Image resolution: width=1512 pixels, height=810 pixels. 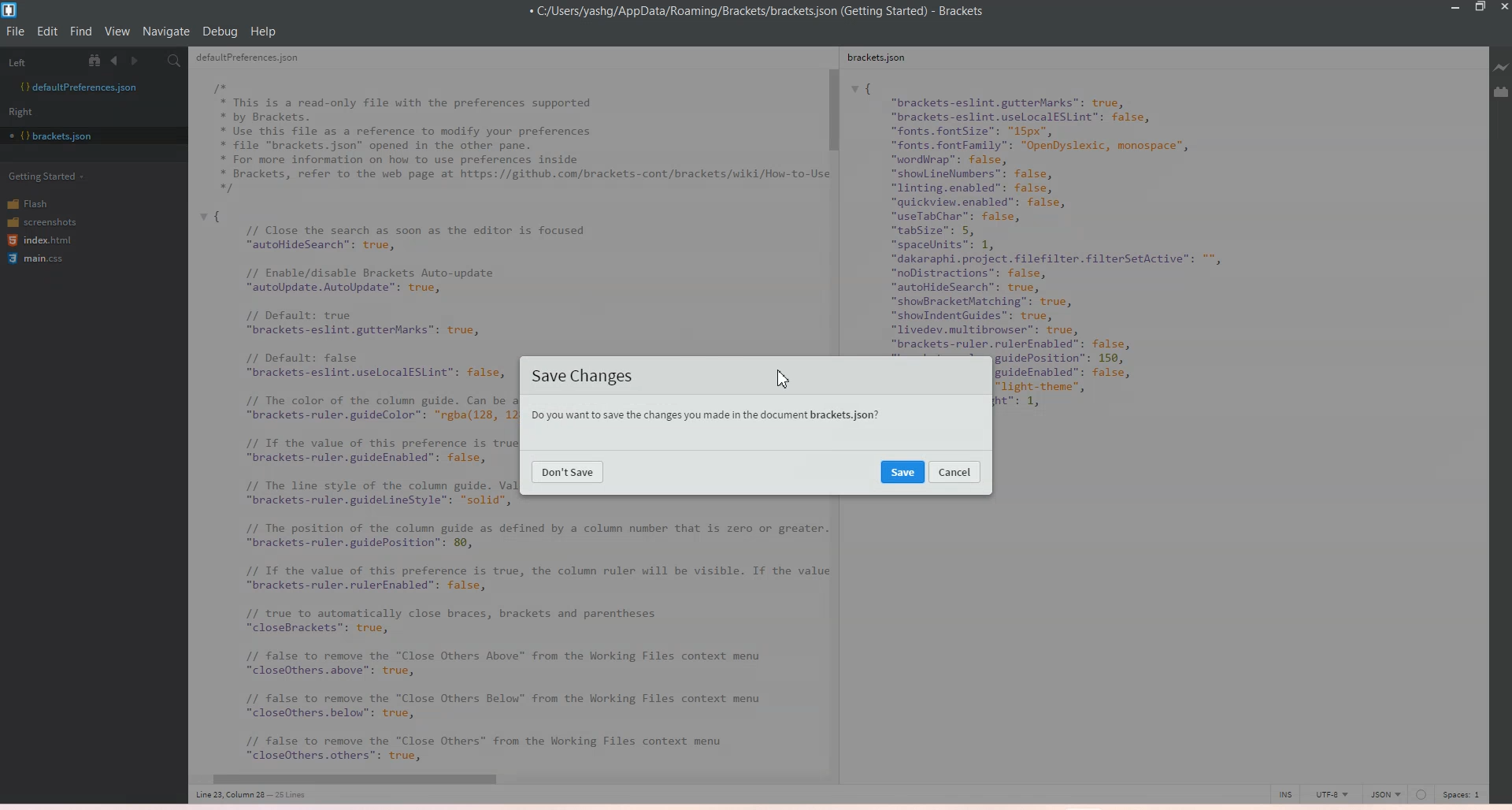 I want to click on Save Changes, so click(x=585, y=377).